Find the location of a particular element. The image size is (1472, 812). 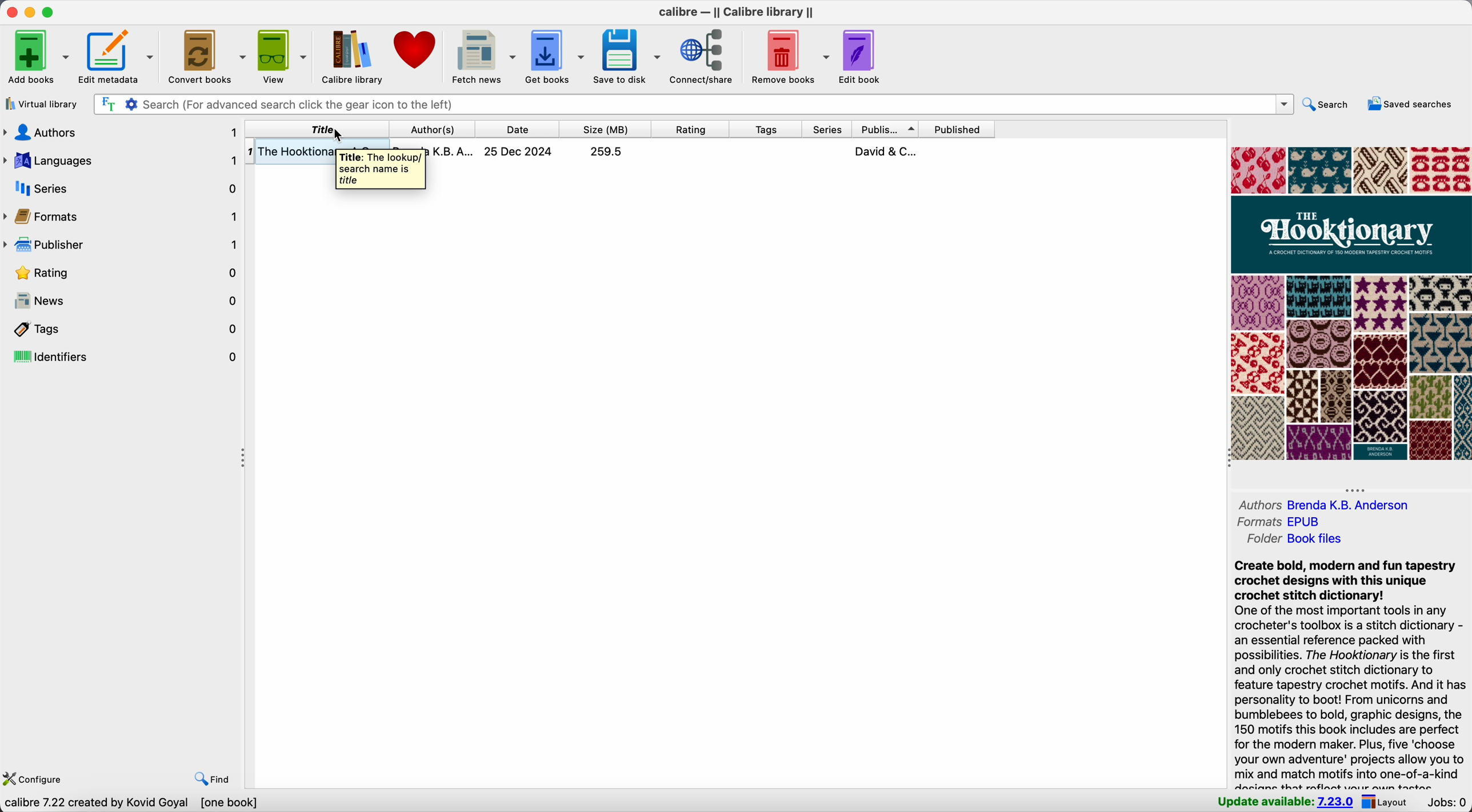

get books is located at coordinates (555, 58).